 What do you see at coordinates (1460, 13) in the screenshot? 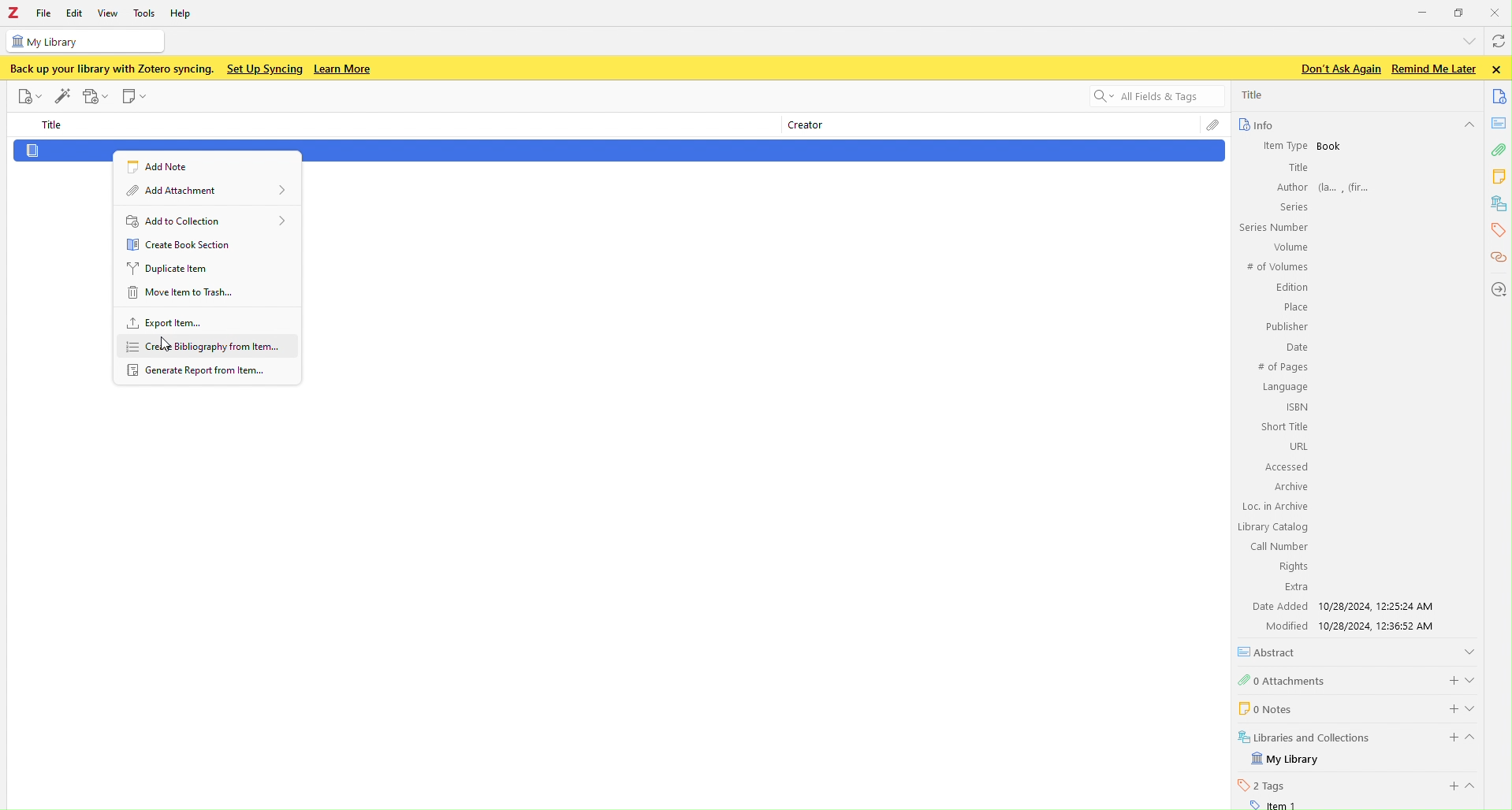
I see `Box` at bounding box center [1460, 13].